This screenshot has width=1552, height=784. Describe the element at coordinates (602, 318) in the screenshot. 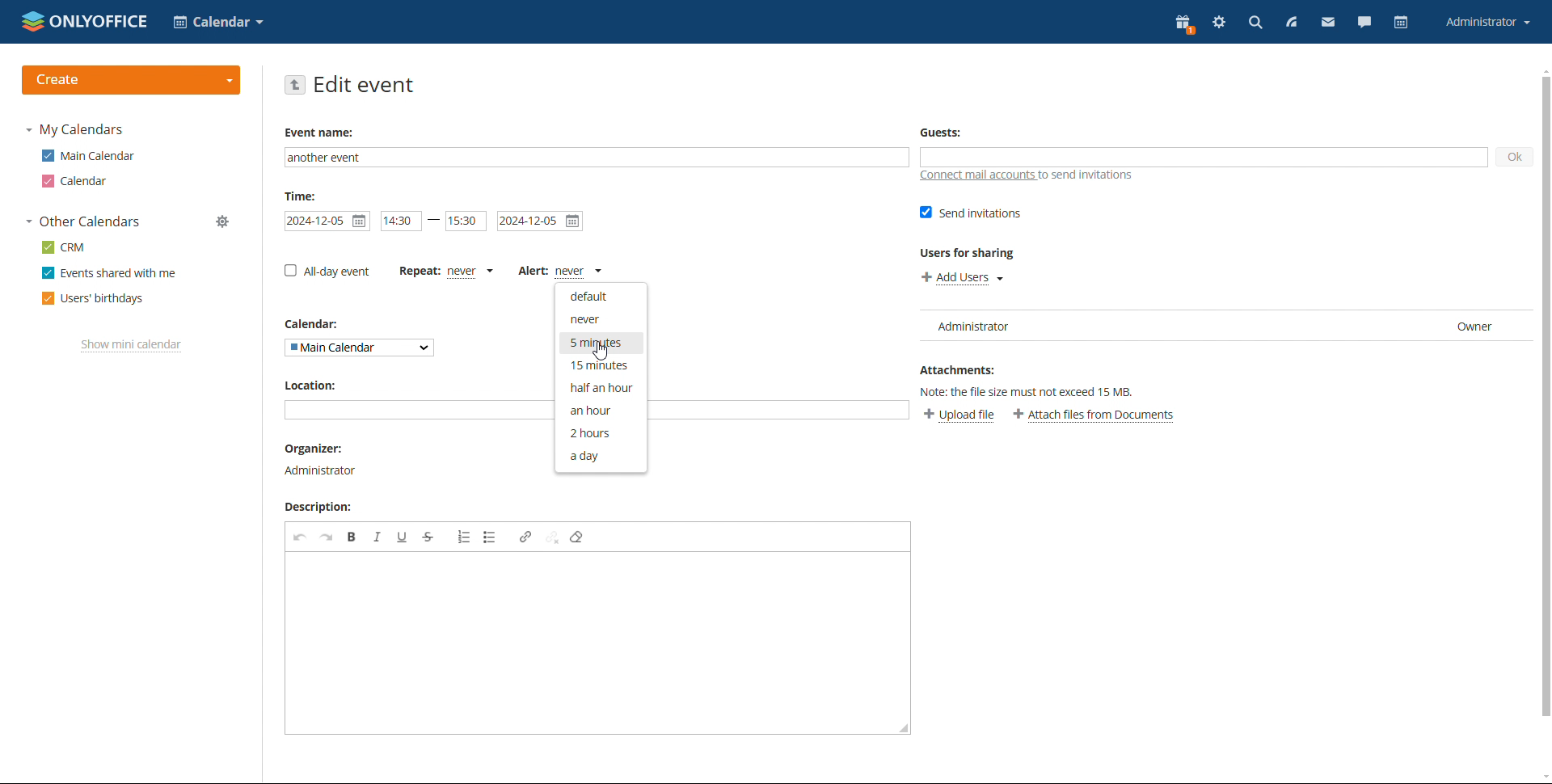

I see `never` at that location.